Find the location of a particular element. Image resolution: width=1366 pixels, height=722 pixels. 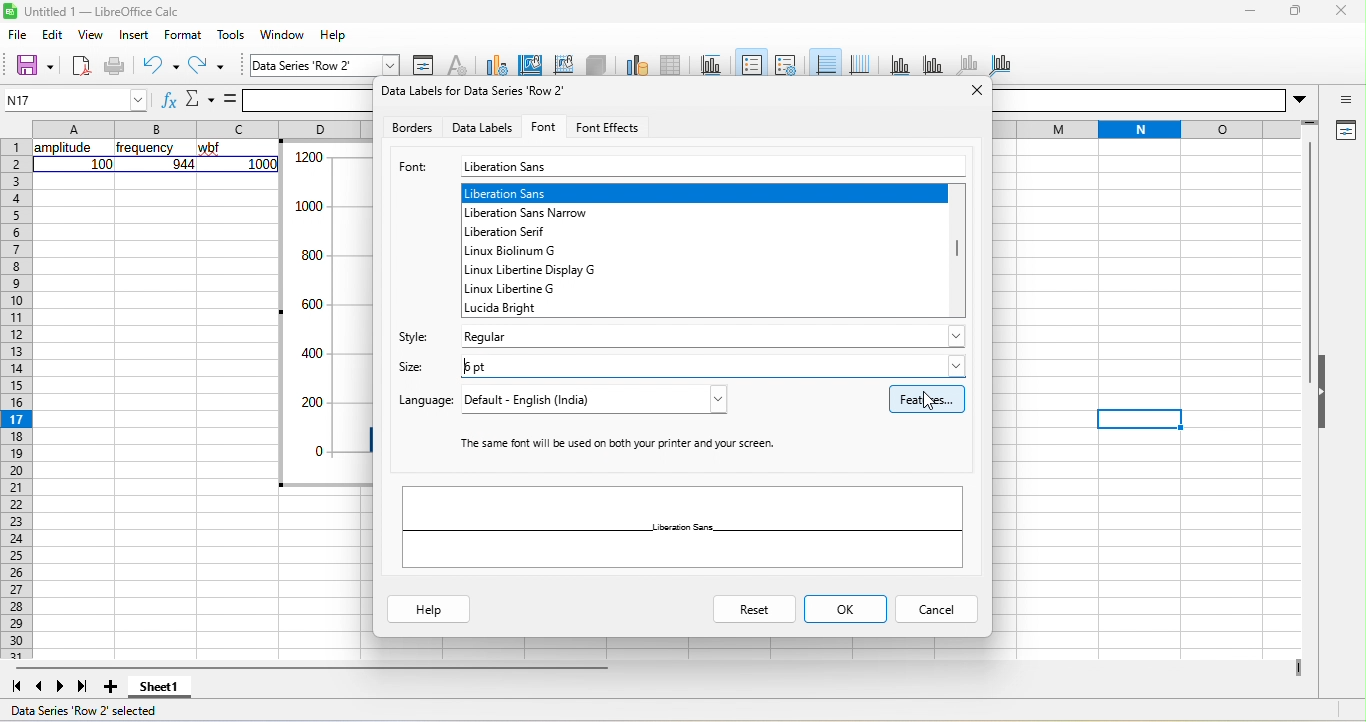

close is located at coordinates (1337, 13).